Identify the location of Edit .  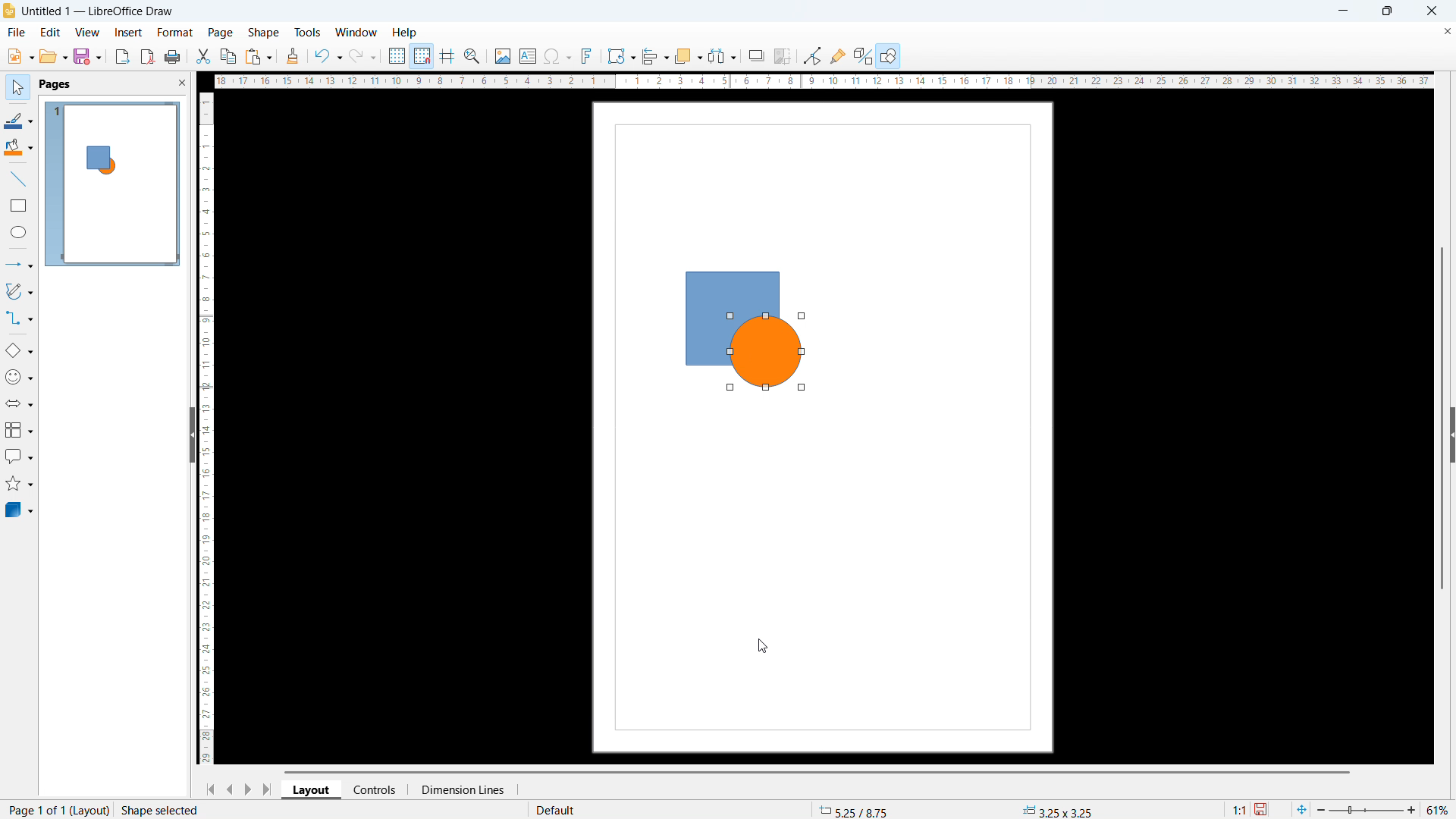
(51, 32).